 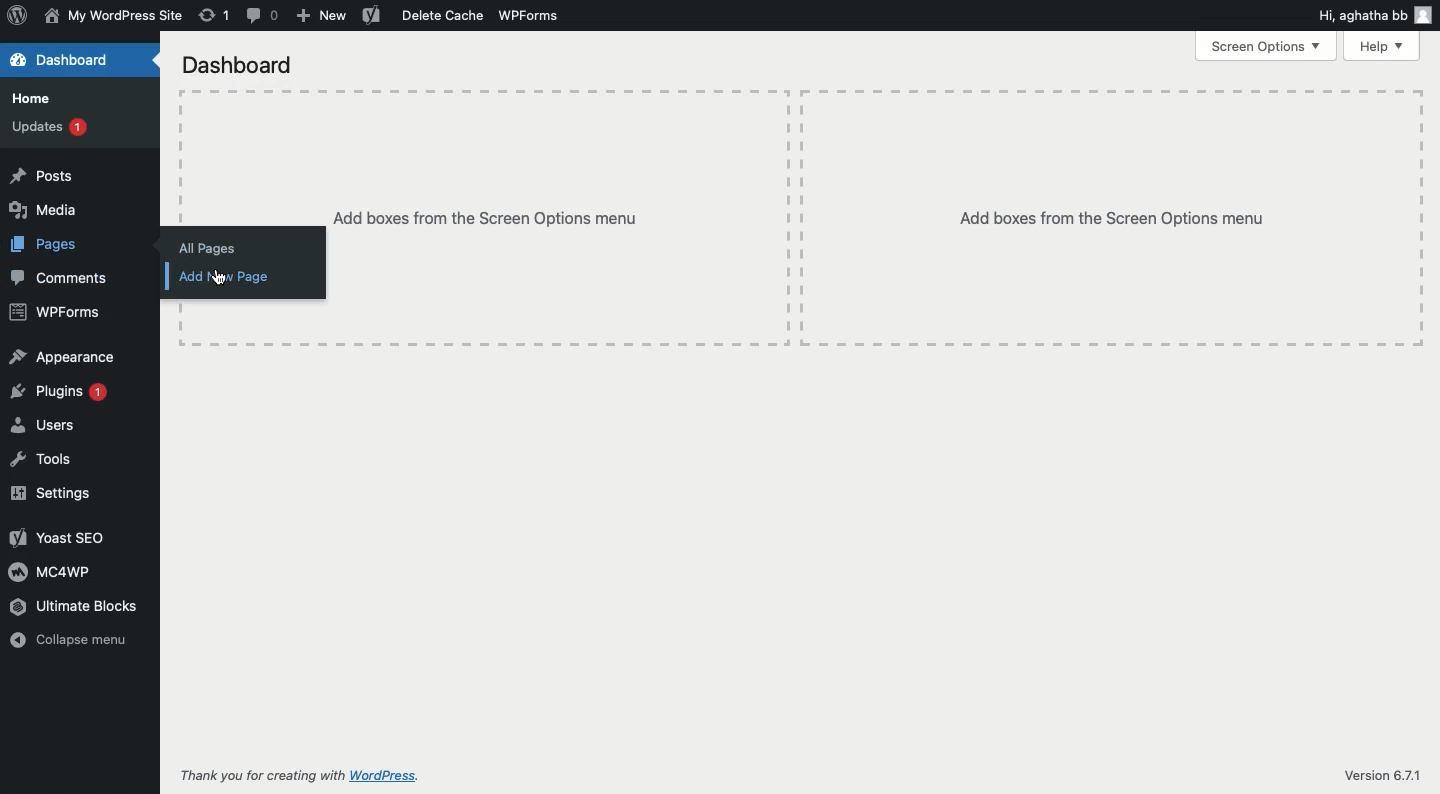 What do you see at coordinates (96, 249) in the screenshot?
I see `Cursor` at bounding box center [96, 249].